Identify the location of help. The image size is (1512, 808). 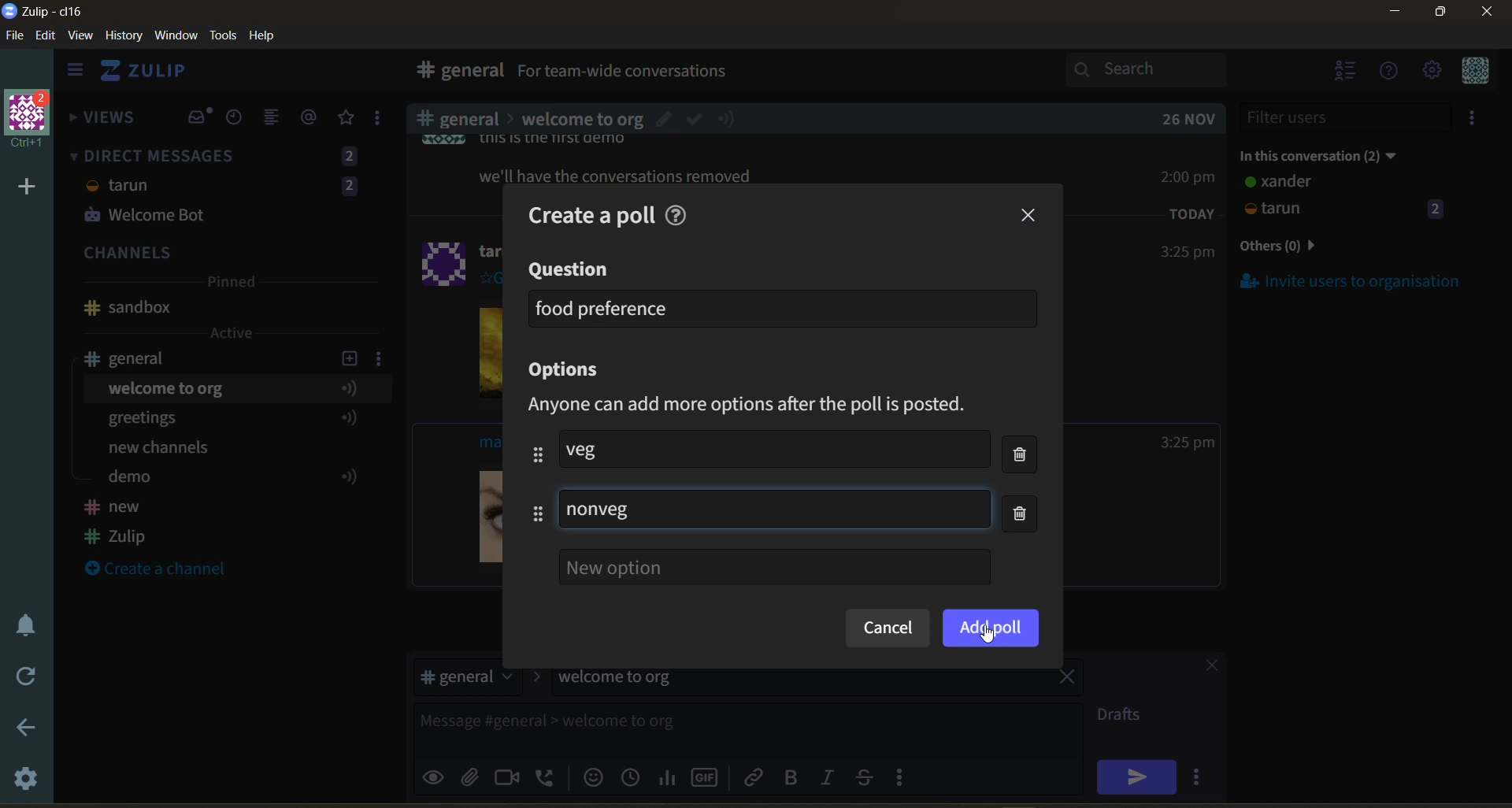
(680, 213).